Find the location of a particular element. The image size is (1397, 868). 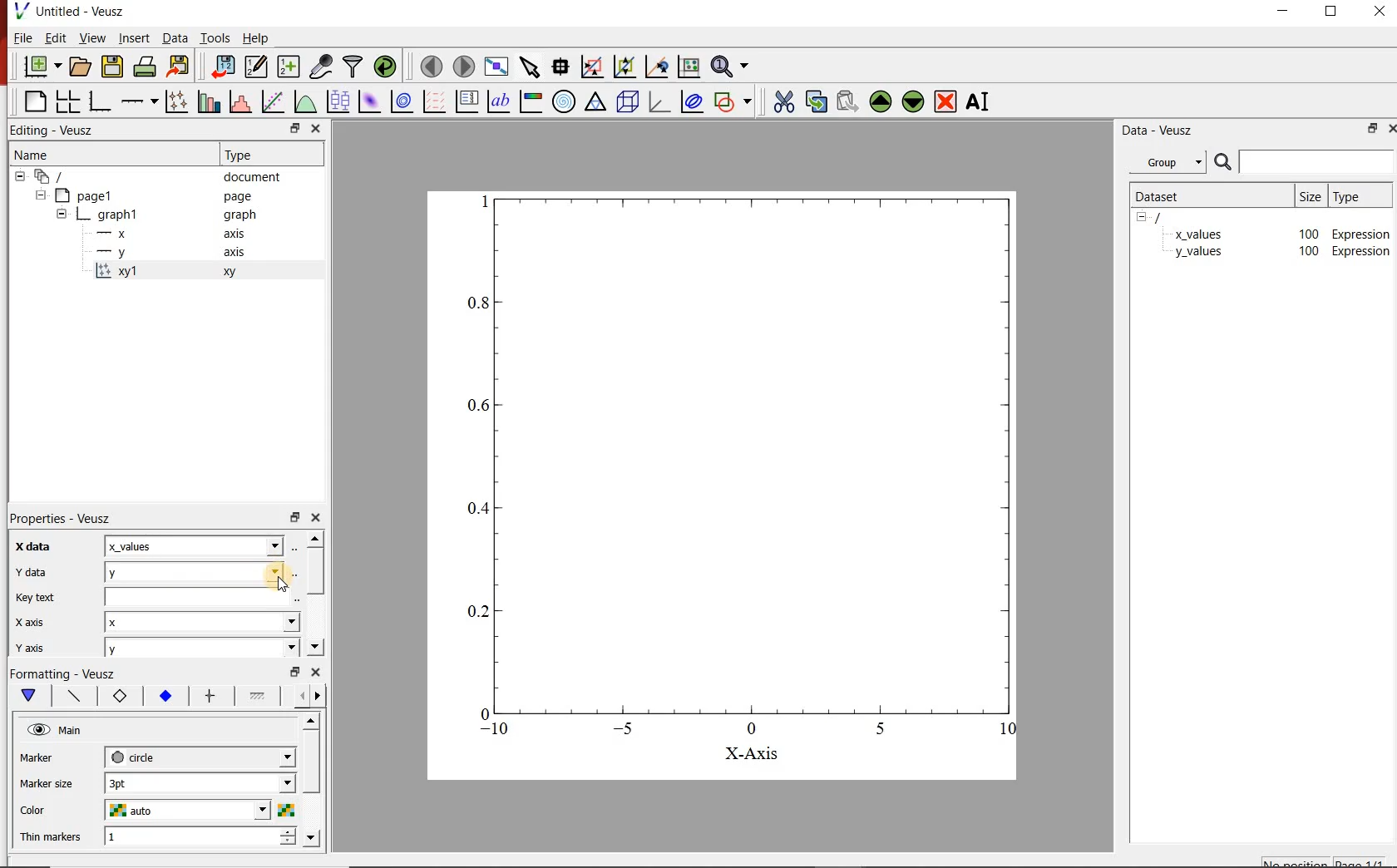

copy the selected widget is located at coordinates (815, 102).